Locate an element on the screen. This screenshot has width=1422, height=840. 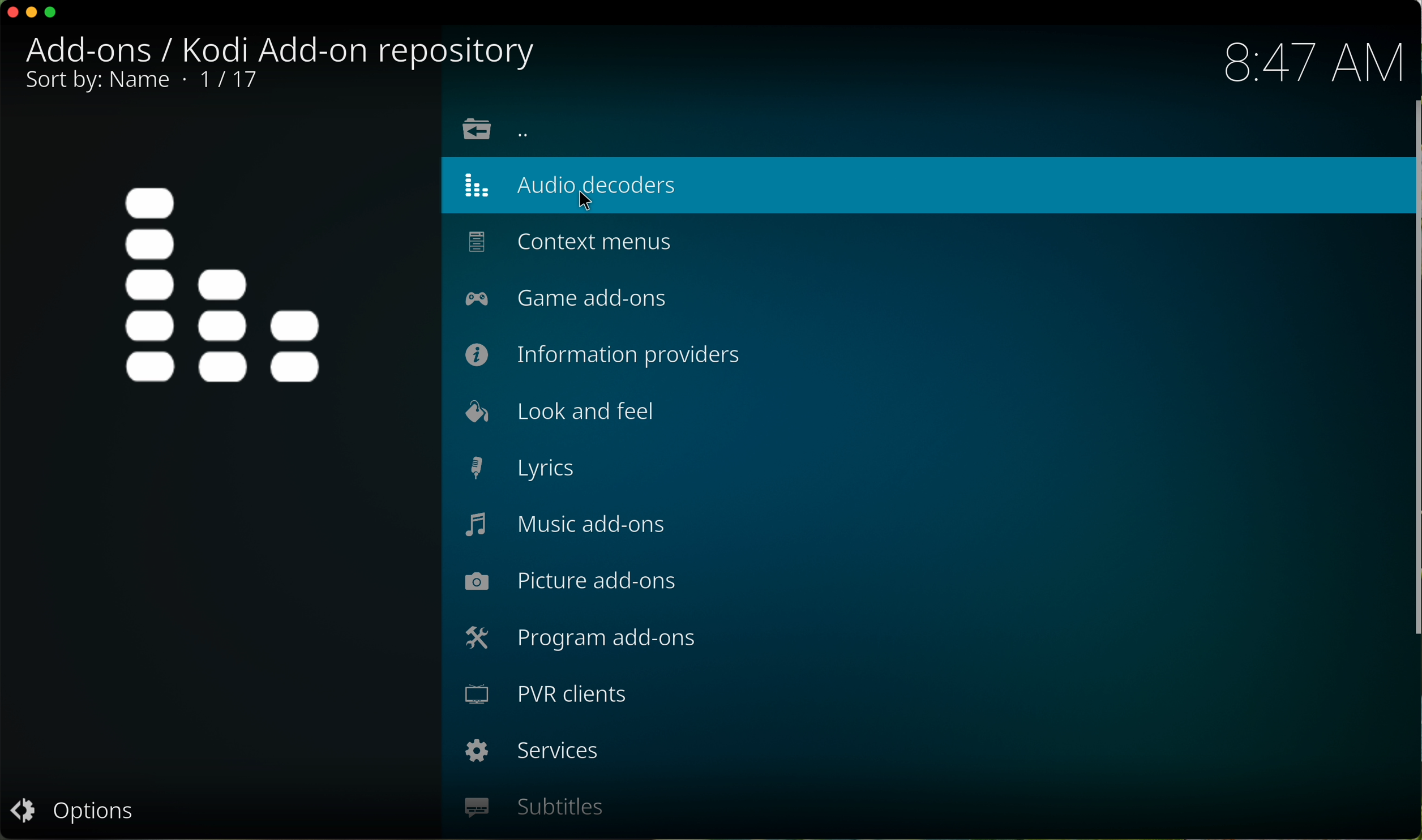
close is located at coordinates (10, 12).